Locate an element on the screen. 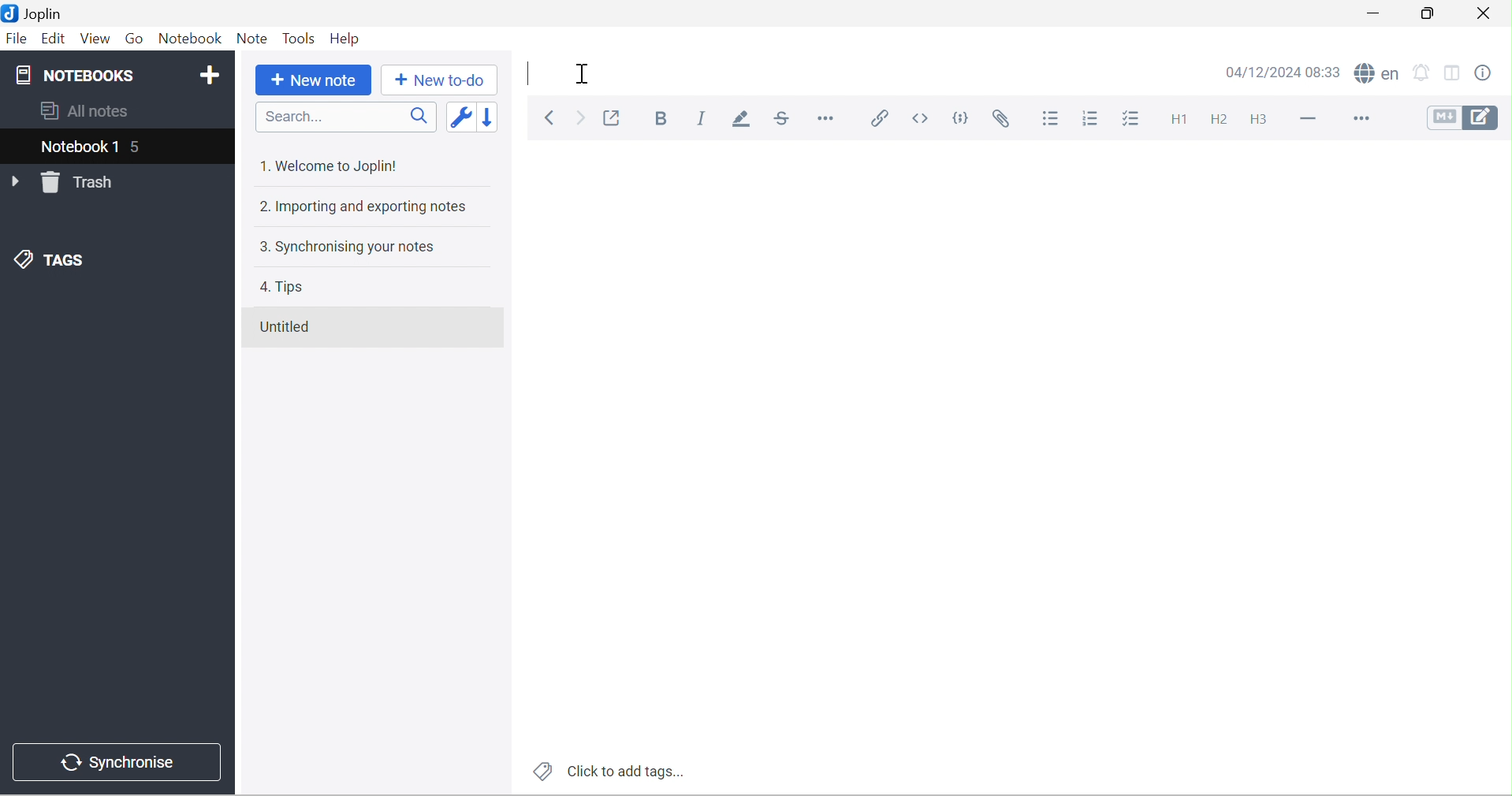 The image size is (1512, 796). Note is located at coordinates (253, 38).